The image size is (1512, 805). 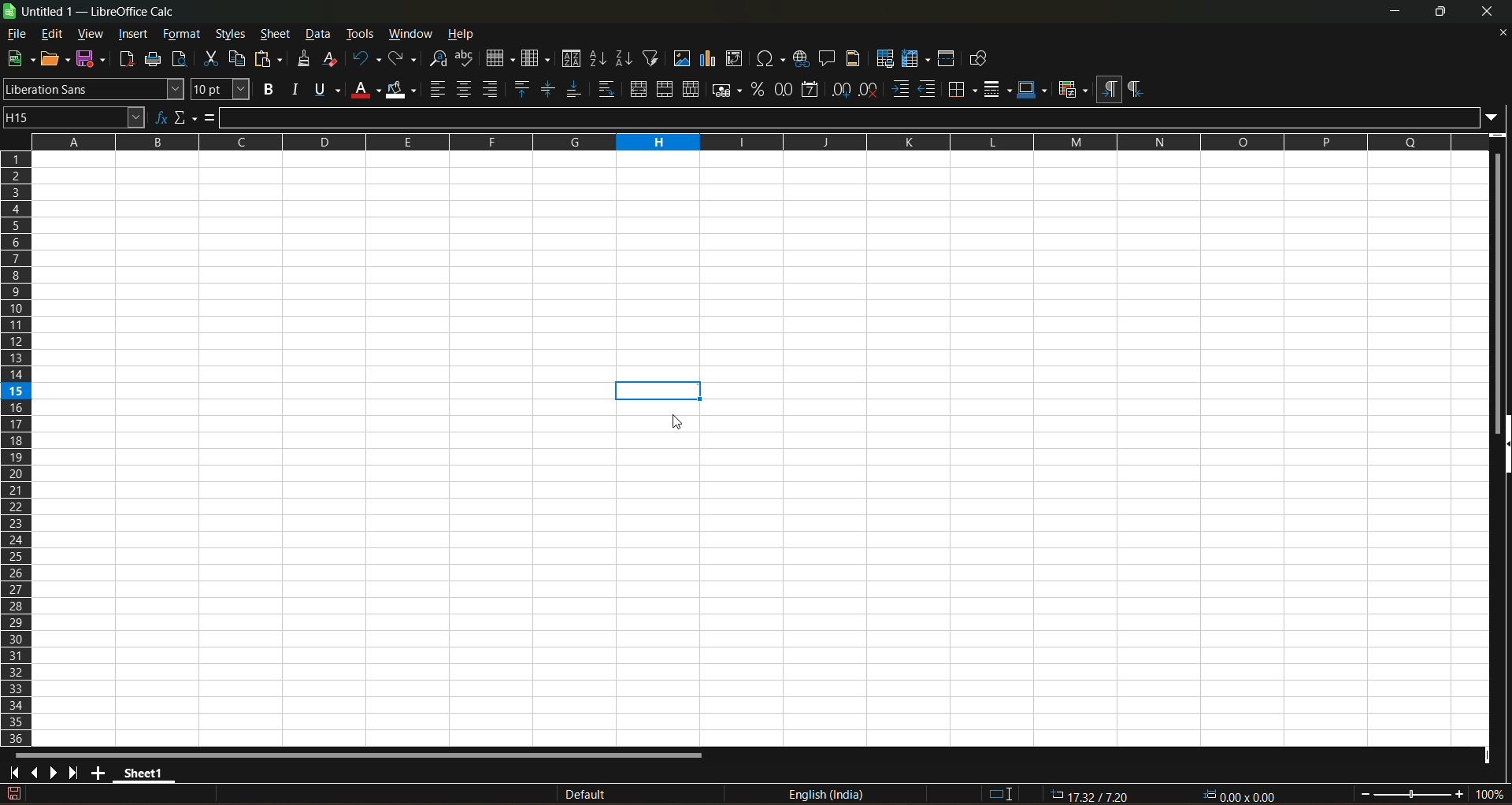 I want to click on unmerge cells, so click(x=691, y=88).